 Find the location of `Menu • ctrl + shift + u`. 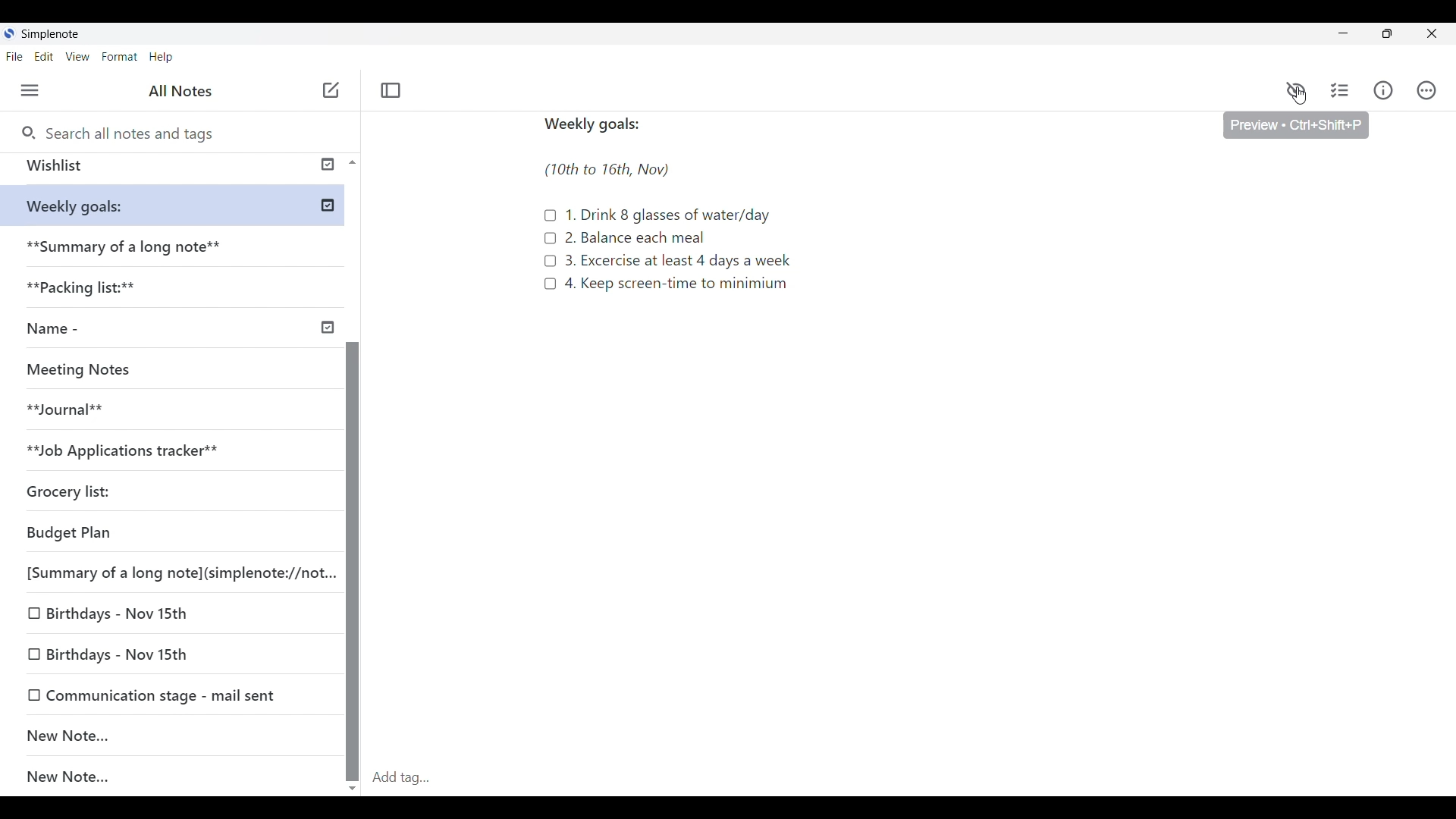

Menu • ctrl + shift + u is located at coordinates (36, 90).